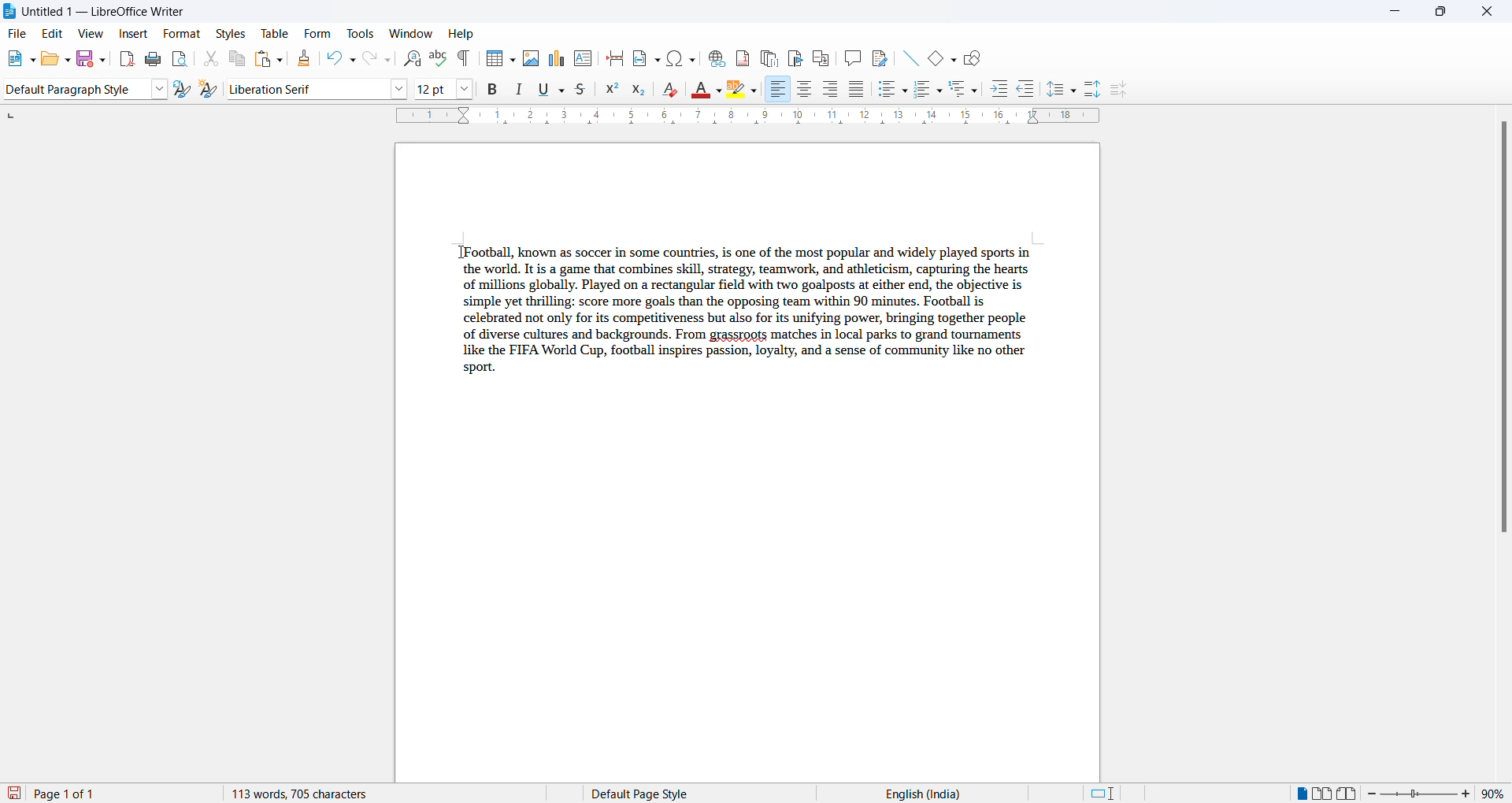  What do you see at coordinates (976, 91) in the screenshot?
I see `outline format options` at bounding box center [976, 91].